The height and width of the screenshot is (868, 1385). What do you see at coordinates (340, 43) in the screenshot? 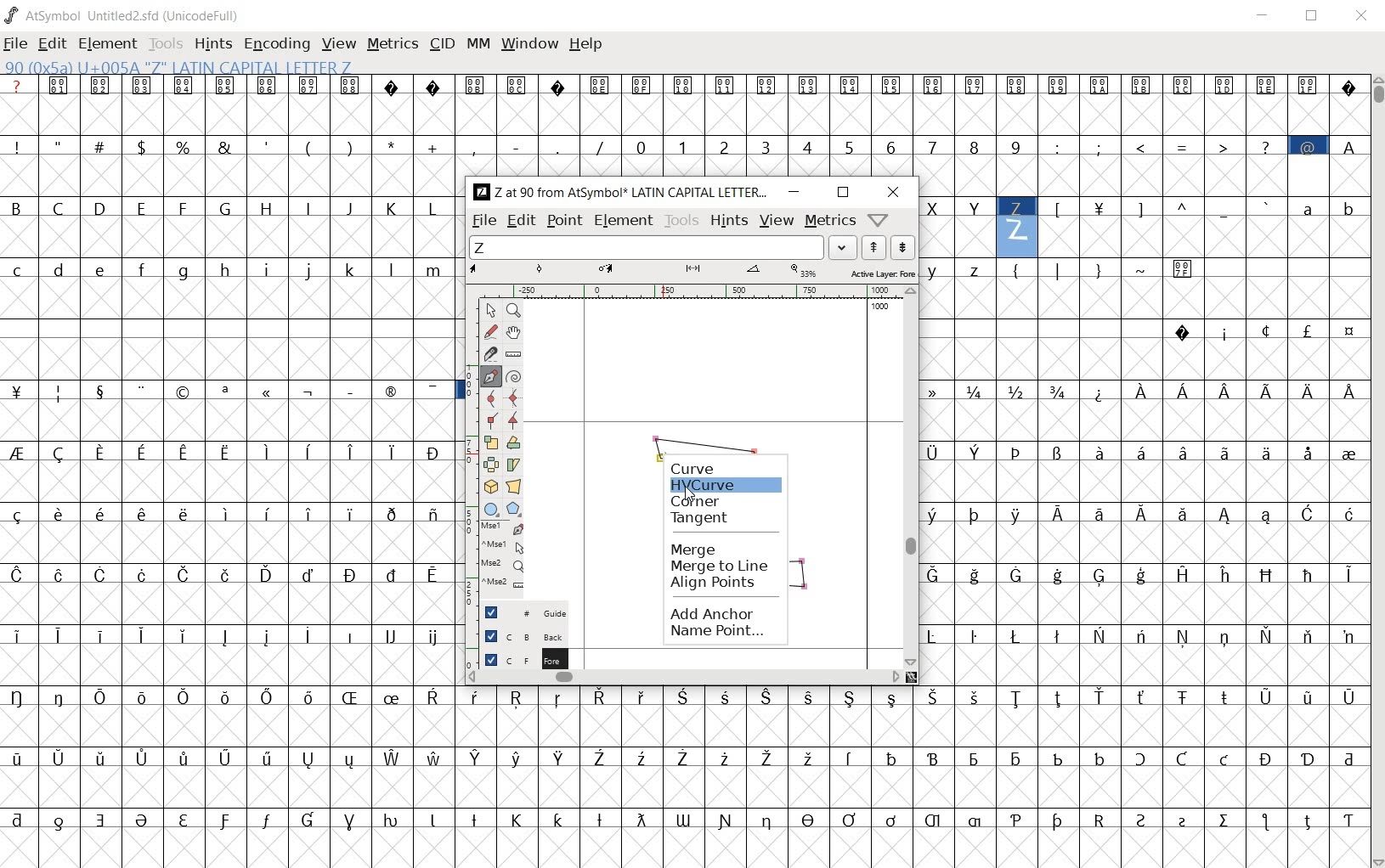
I see `view` at bounding box center [340, 43].